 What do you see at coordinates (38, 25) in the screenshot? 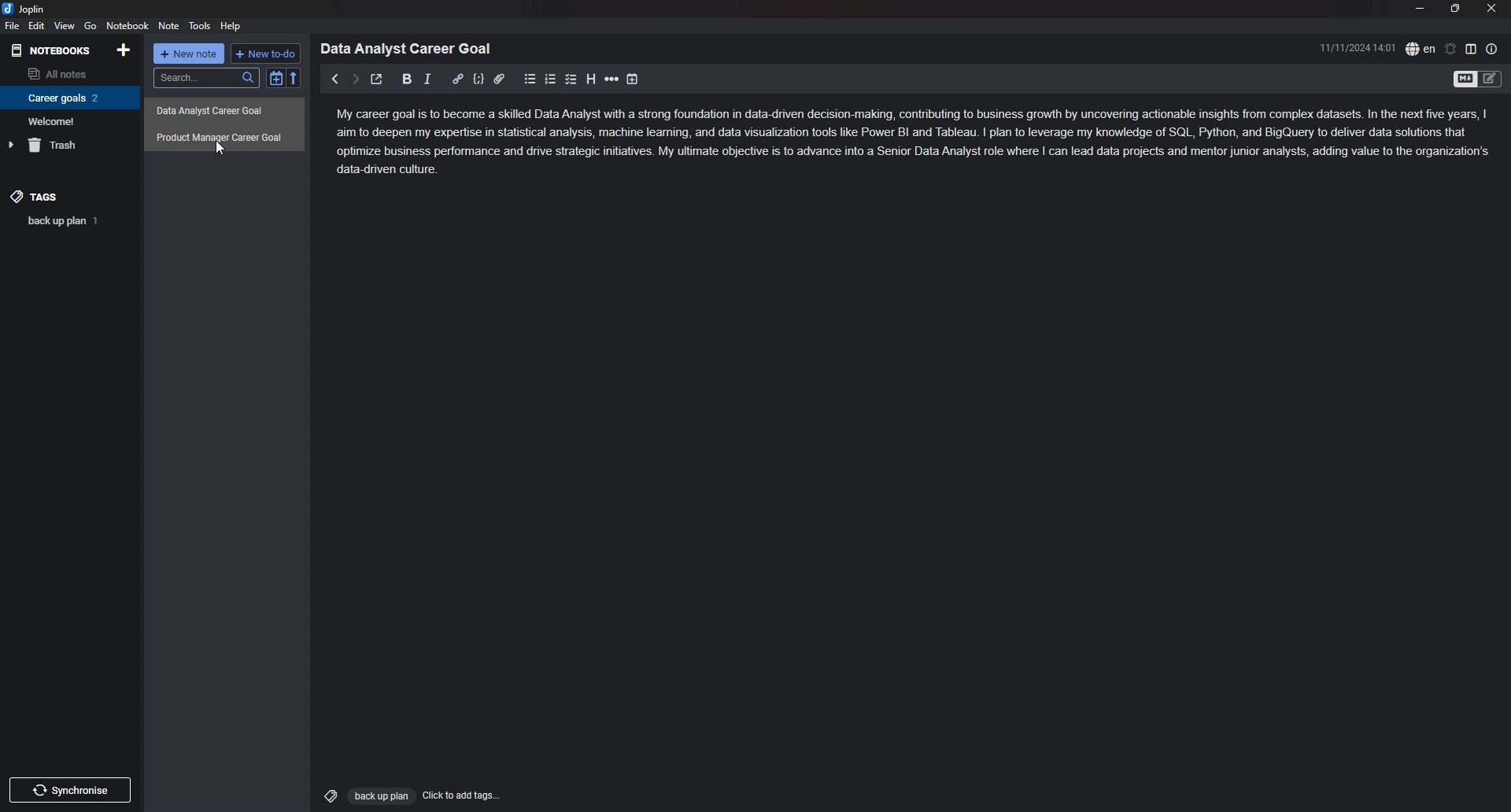
I see `edit` at bounding box center [38, 25].